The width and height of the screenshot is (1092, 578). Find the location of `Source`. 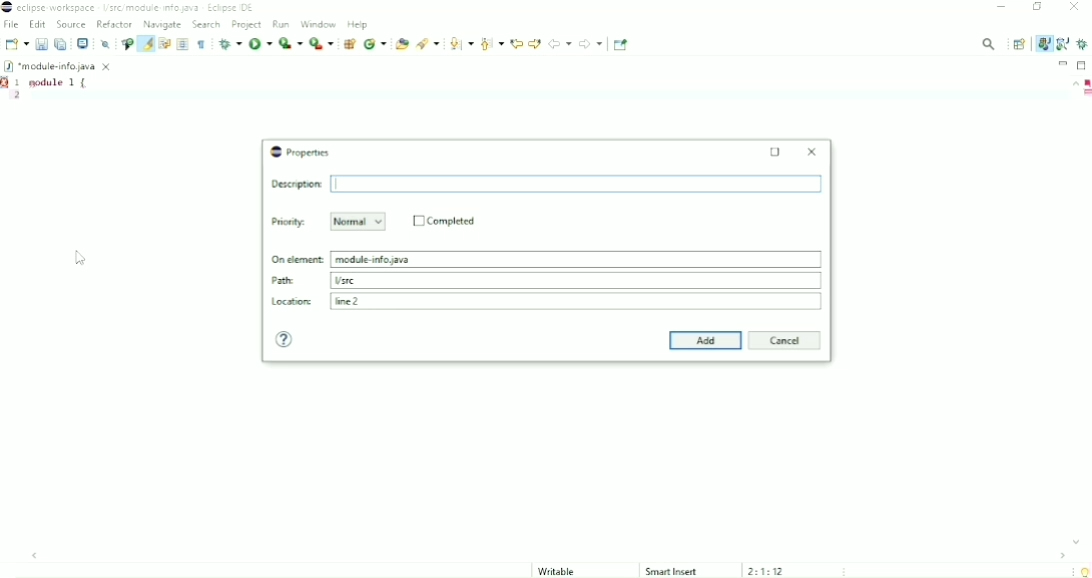

Source is located at coordinates (71, 24).